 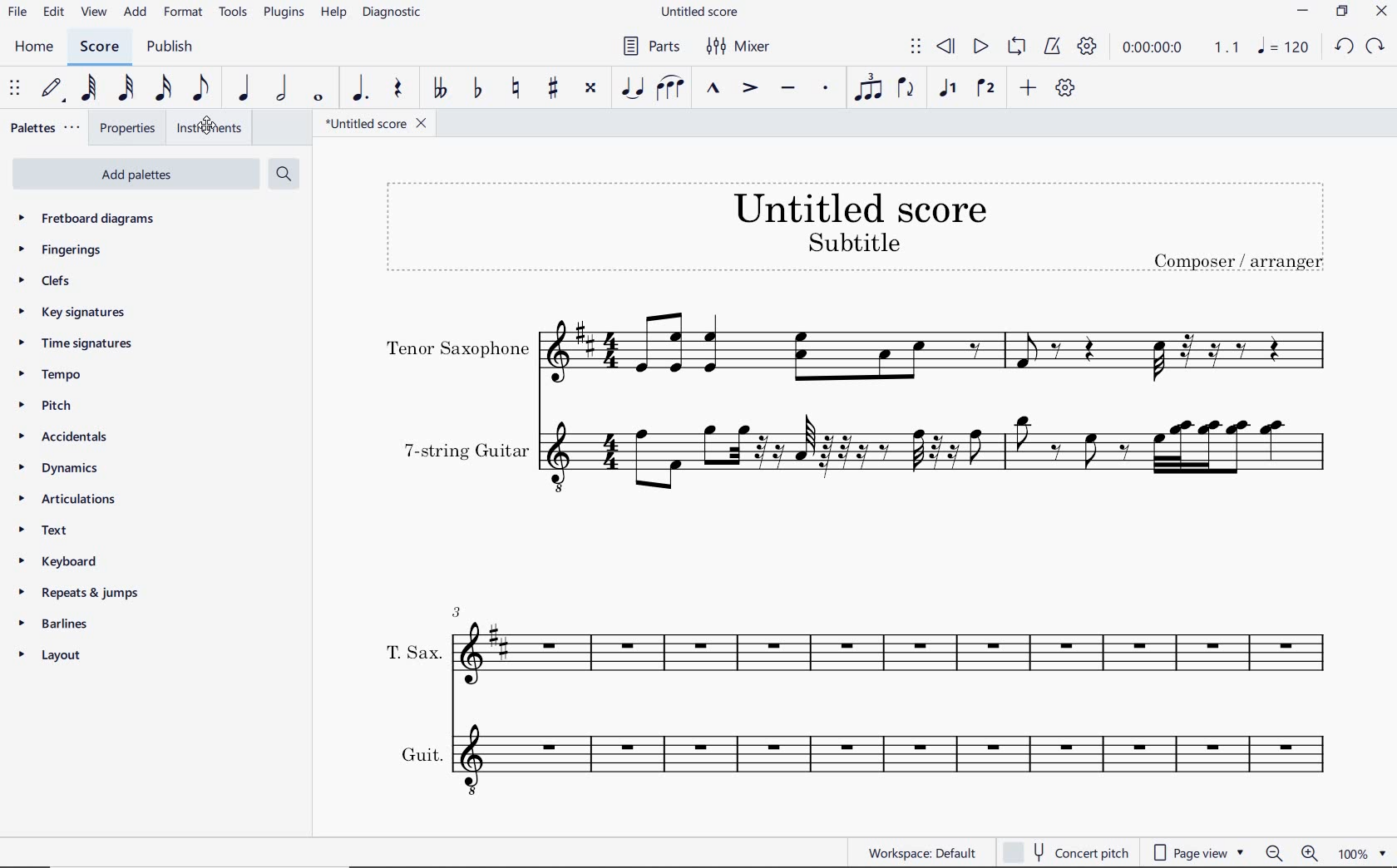 I want to click on INSTRUMENT: 7-STRING GUITAR, so click(x=866, y=455).